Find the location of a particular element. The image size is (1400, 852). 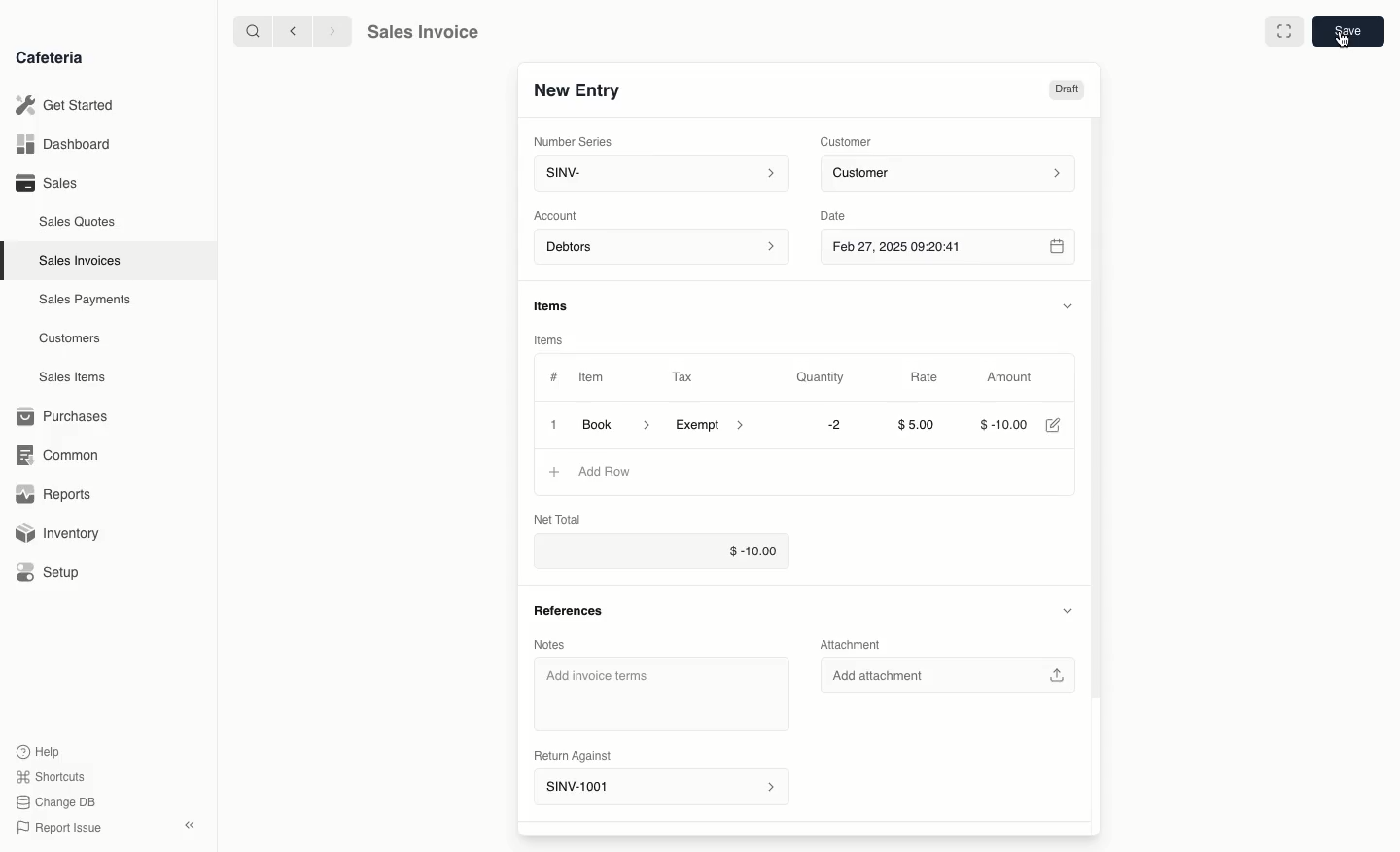

Items is located at coordinates (547, 341).